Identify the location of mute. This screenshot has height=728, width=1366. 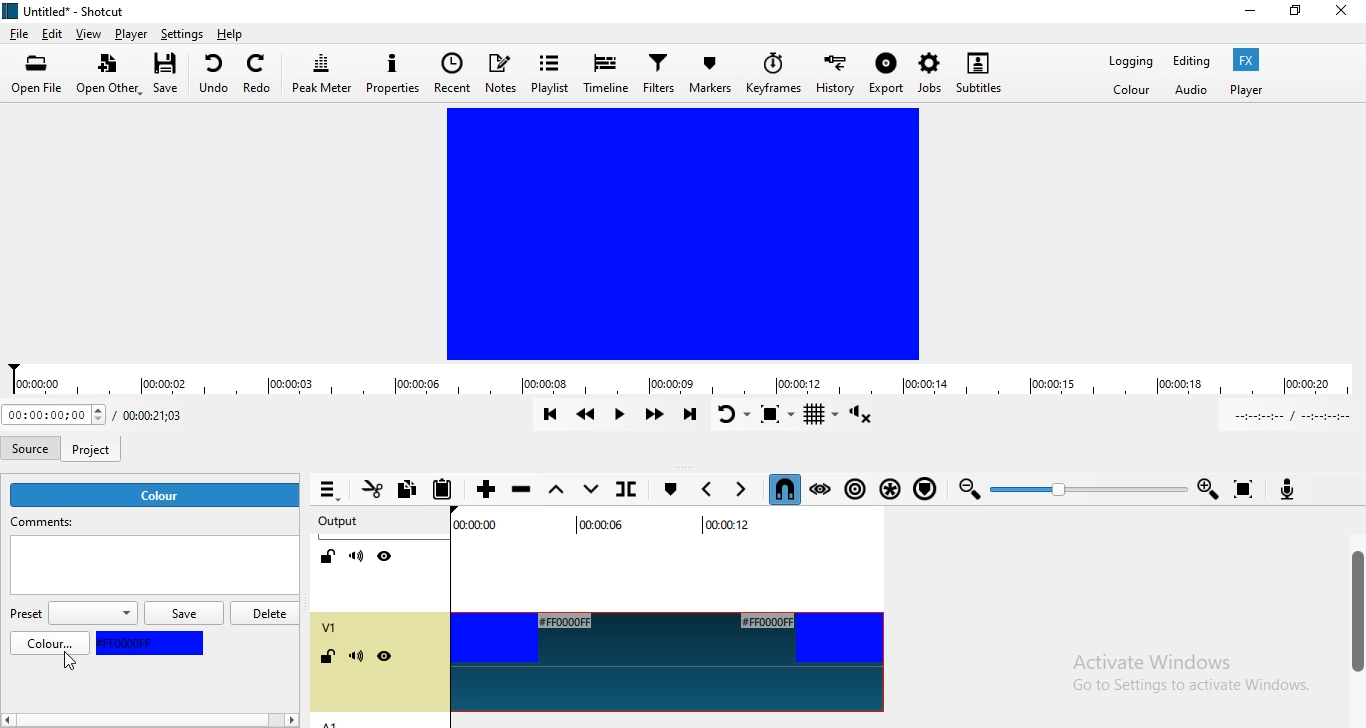
(356, 658).